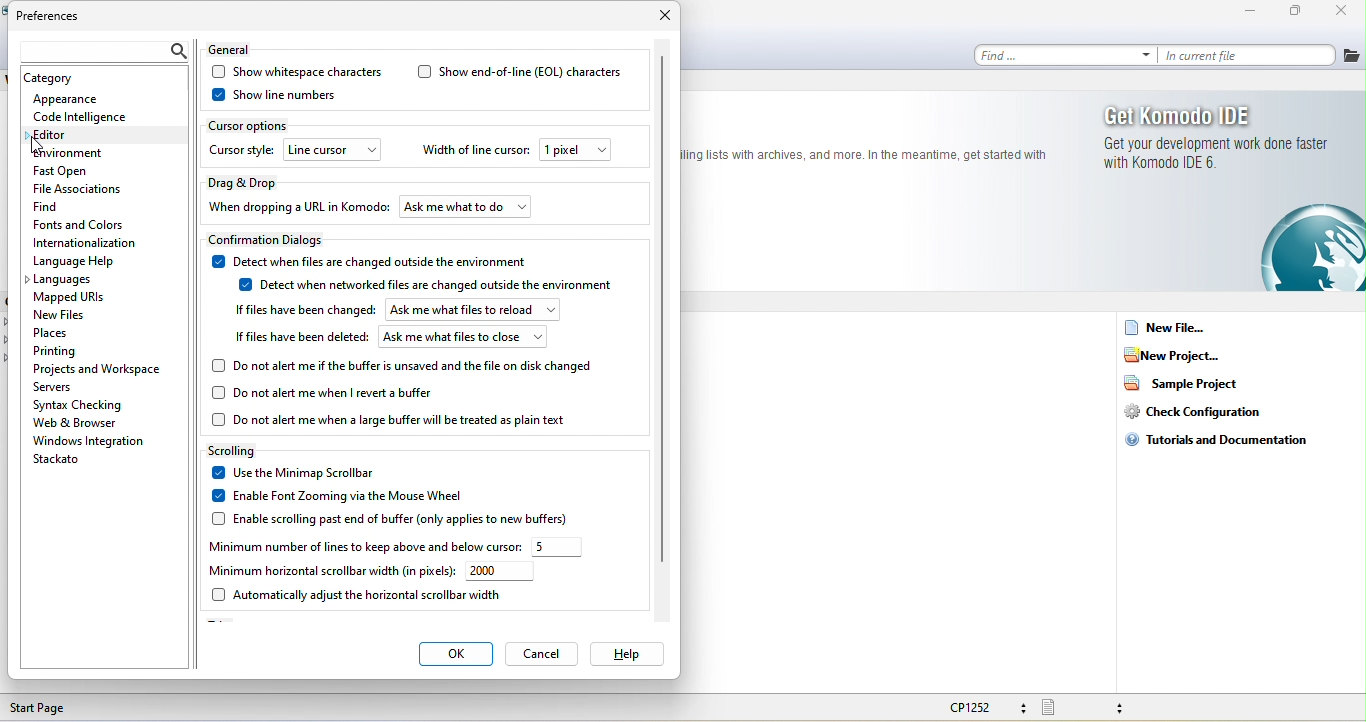 This screenshot has width=1366, height=722. I want to click on enable font zooming via the mouse wheel, so click(333, 495).